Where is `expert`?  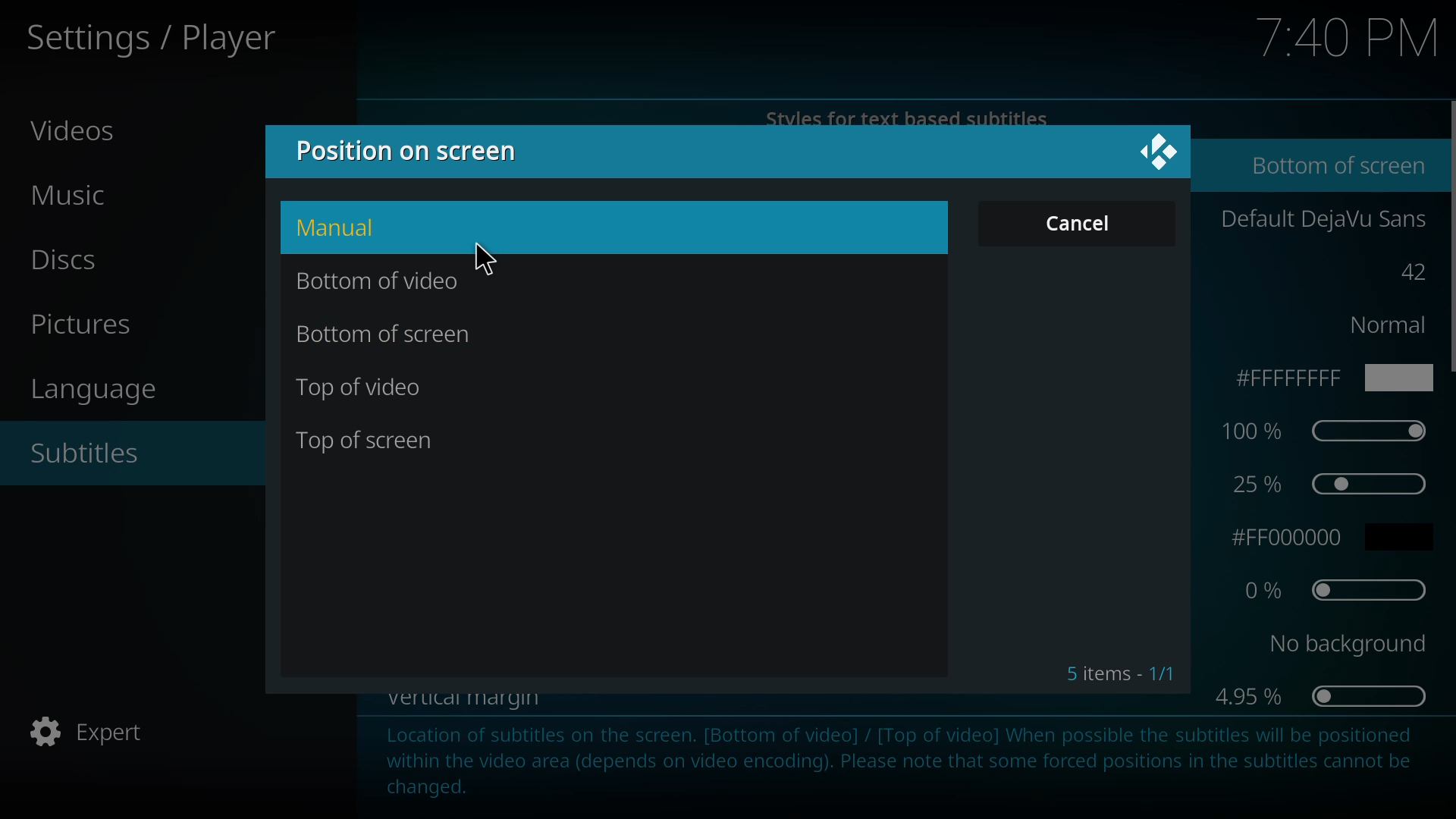
expert is located at coordinates (98, 727).